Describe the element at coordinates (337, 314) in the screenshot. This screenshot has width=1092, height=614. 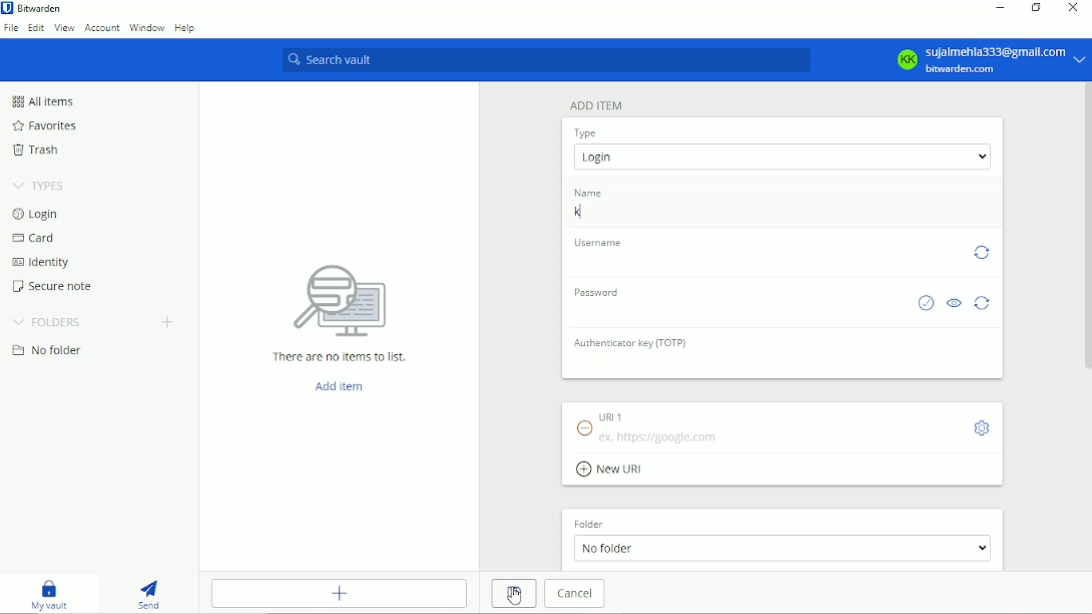
I see `There are no items to list` at that location.